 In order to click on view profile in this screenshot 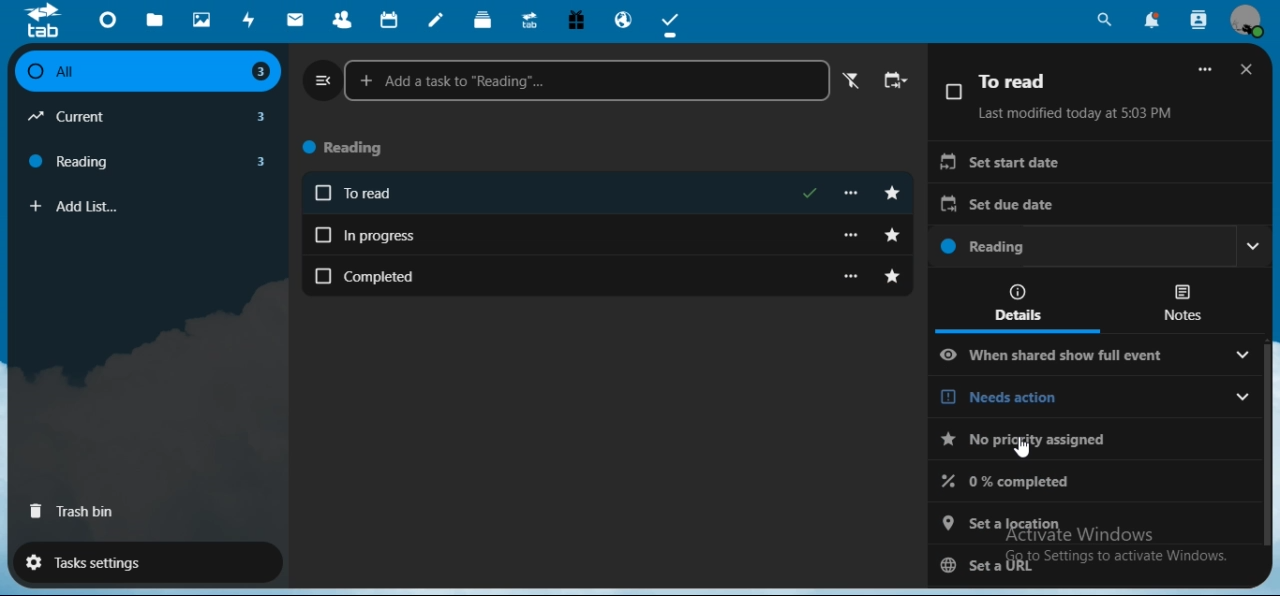, I will do `click(1250, 24)`.